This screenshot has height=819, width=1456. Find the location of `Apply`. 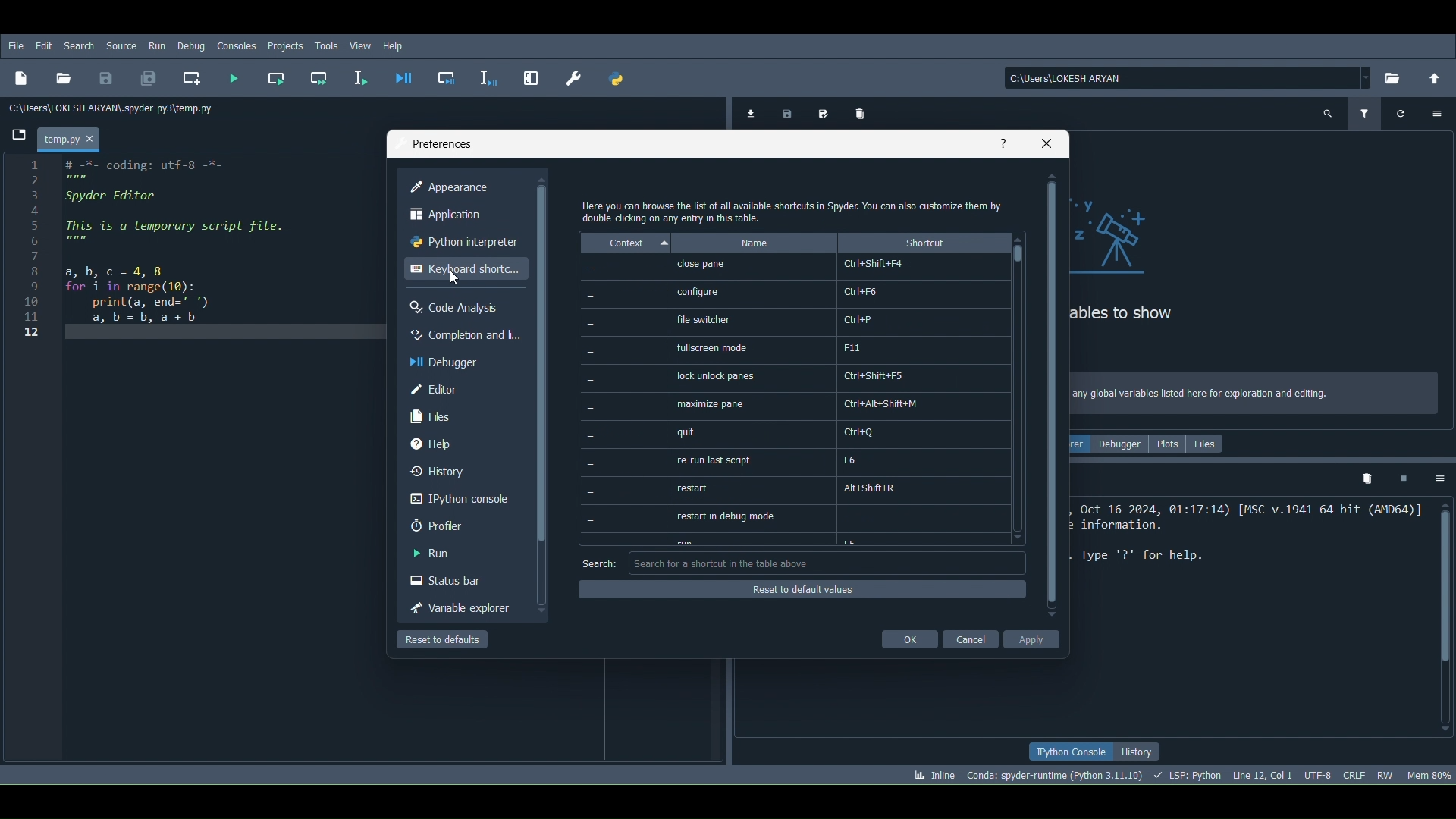

Apply is located at coordinates (1036, 639).